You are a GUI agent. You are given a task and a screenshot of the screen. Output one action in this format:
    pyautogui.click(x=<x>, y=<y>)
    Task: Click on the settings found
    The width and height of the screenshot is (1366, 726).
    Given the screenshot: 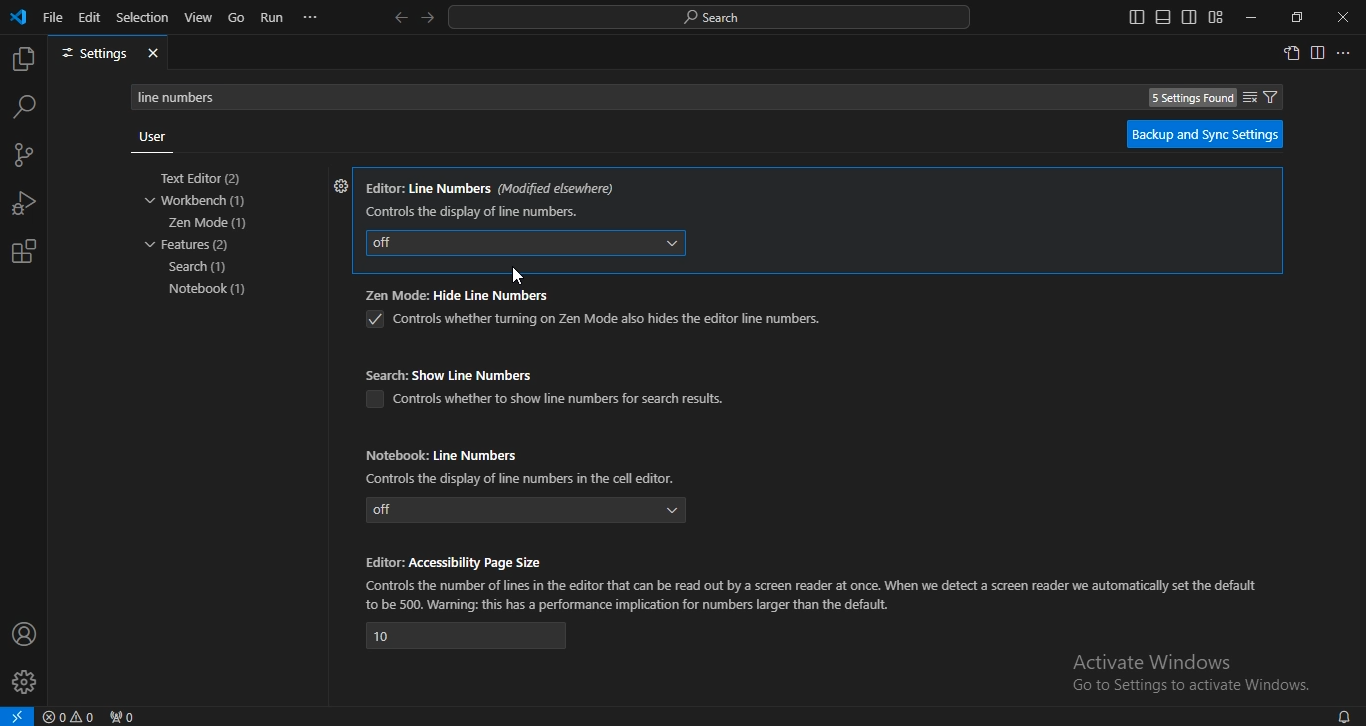 What is the action you would take?
    pyautogui.click(x=1192, y=98)
    